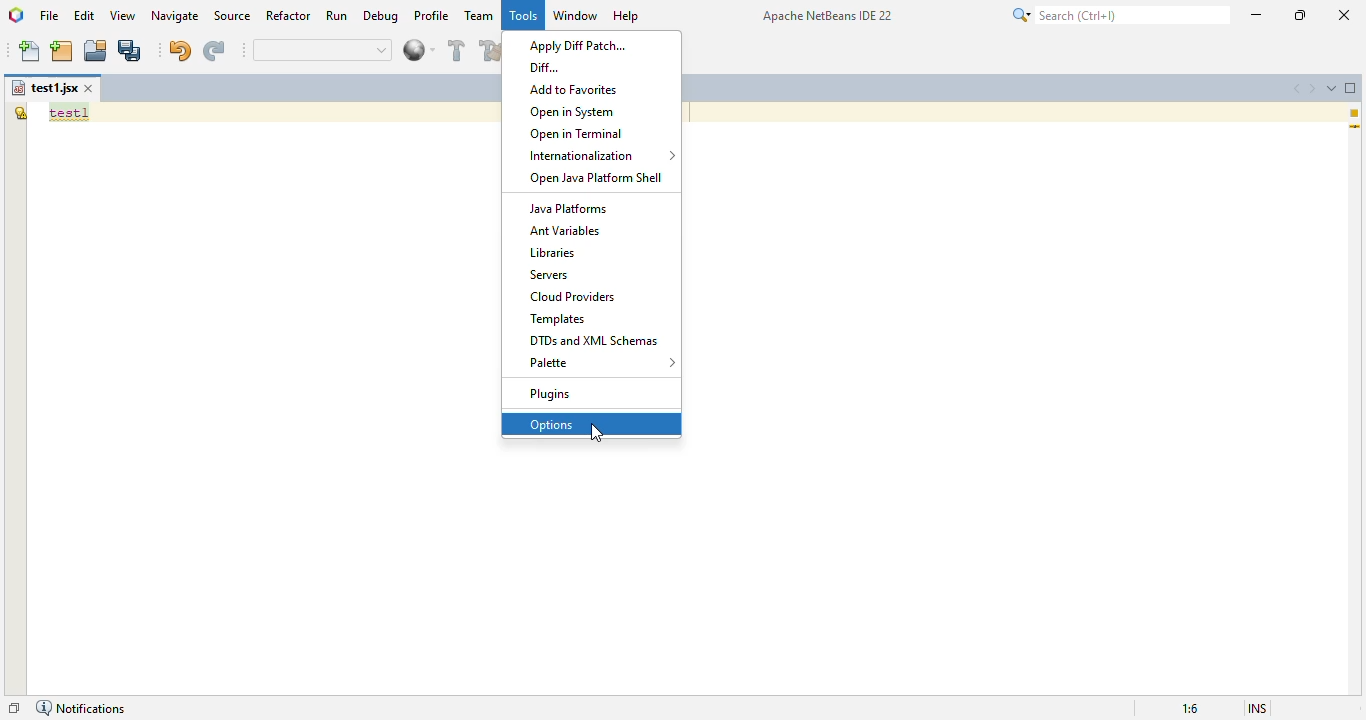 This screenshot has height=720, width=1366. Describe the element at coordinates (14, 708) in the screenshot. I see `restore window group` at that location.